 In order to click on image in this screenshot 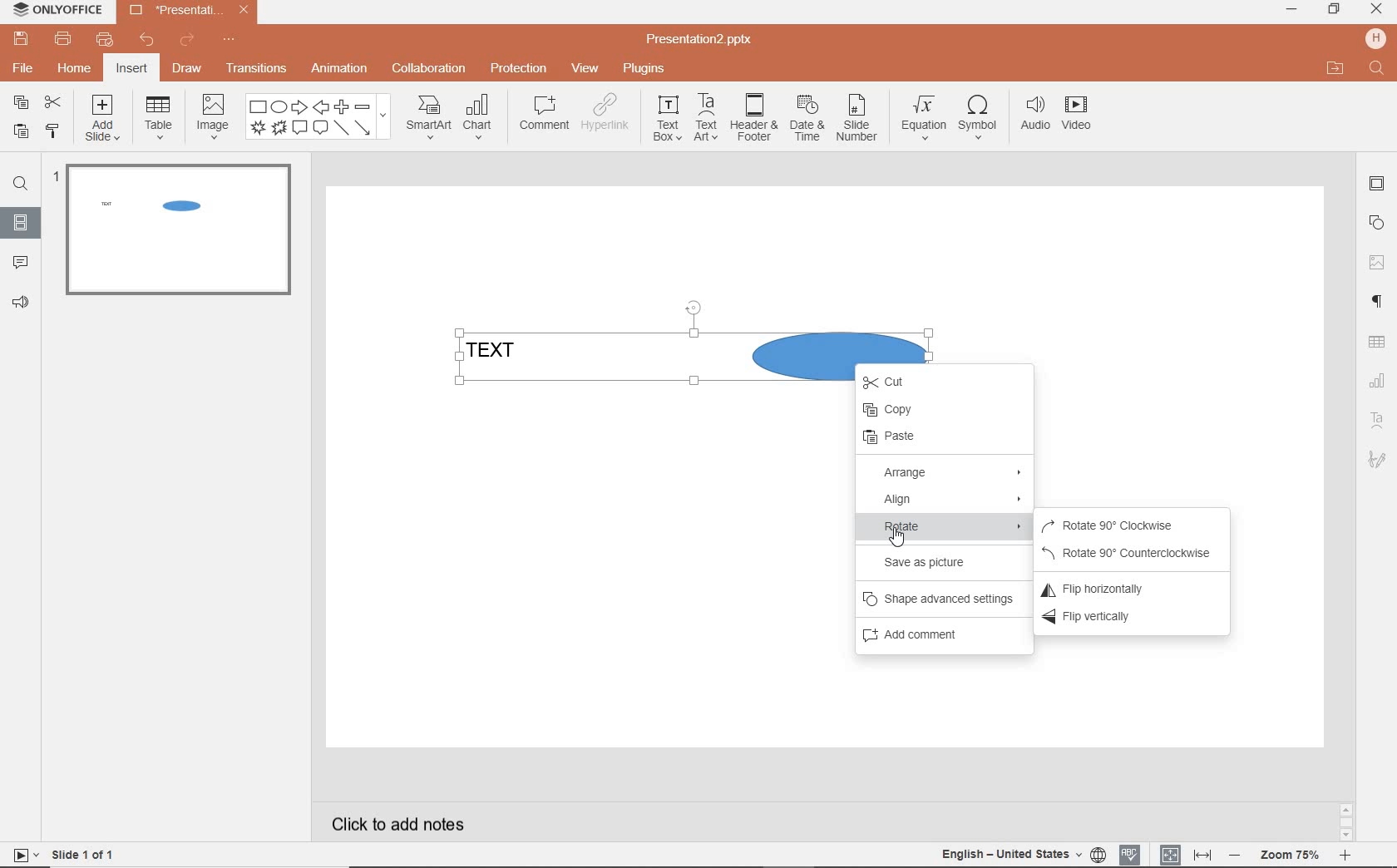, I will do `click(210, 116)`.